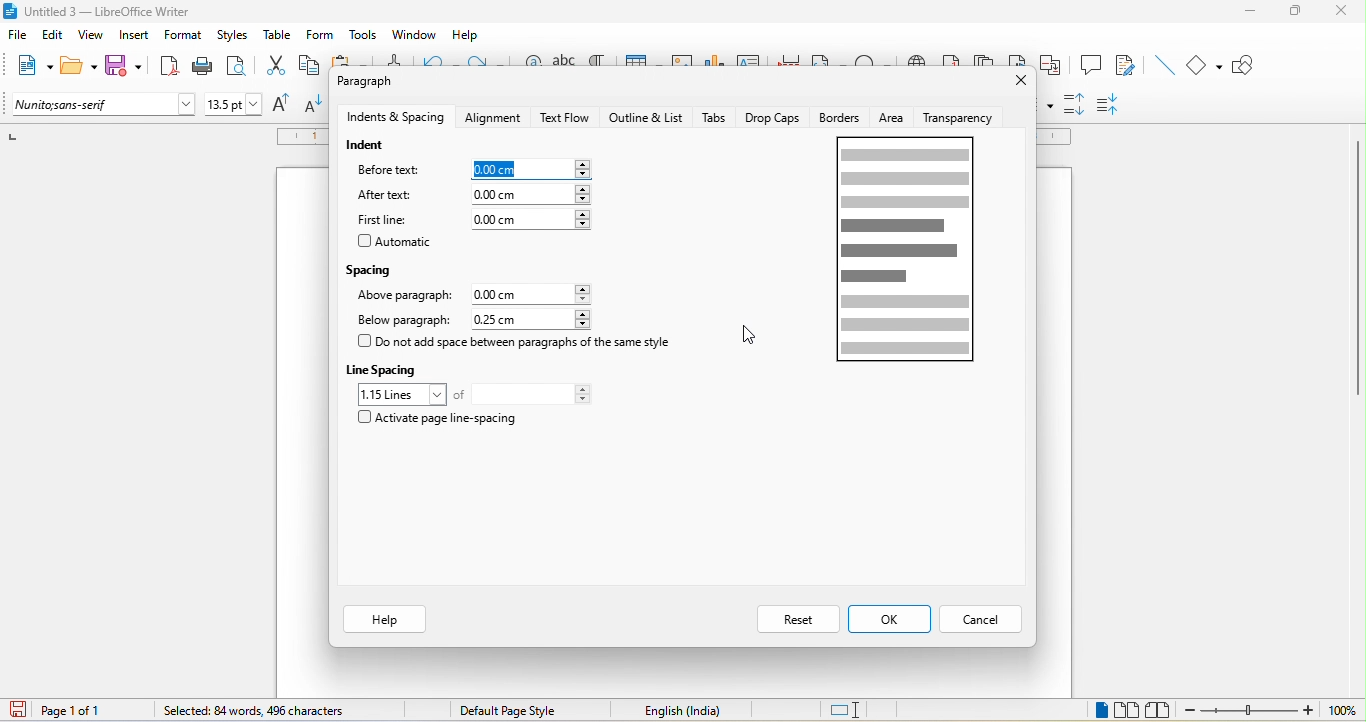 This screenshot has width=1366, height=722. I want to click on increase or decrease, so click(583, 195).